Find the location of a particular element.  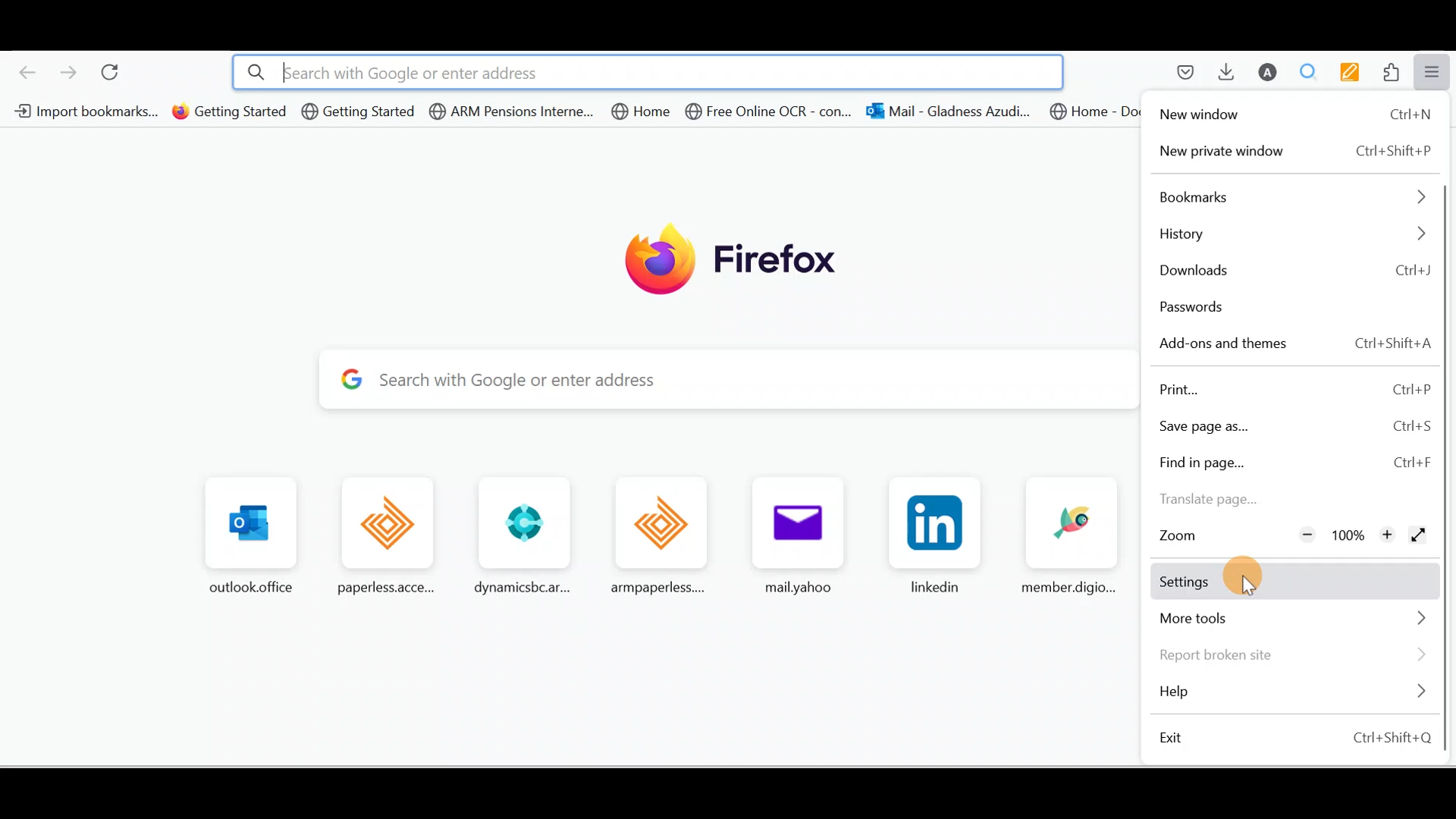

Multiple search and higlight is located at coordinates (1305, 71).